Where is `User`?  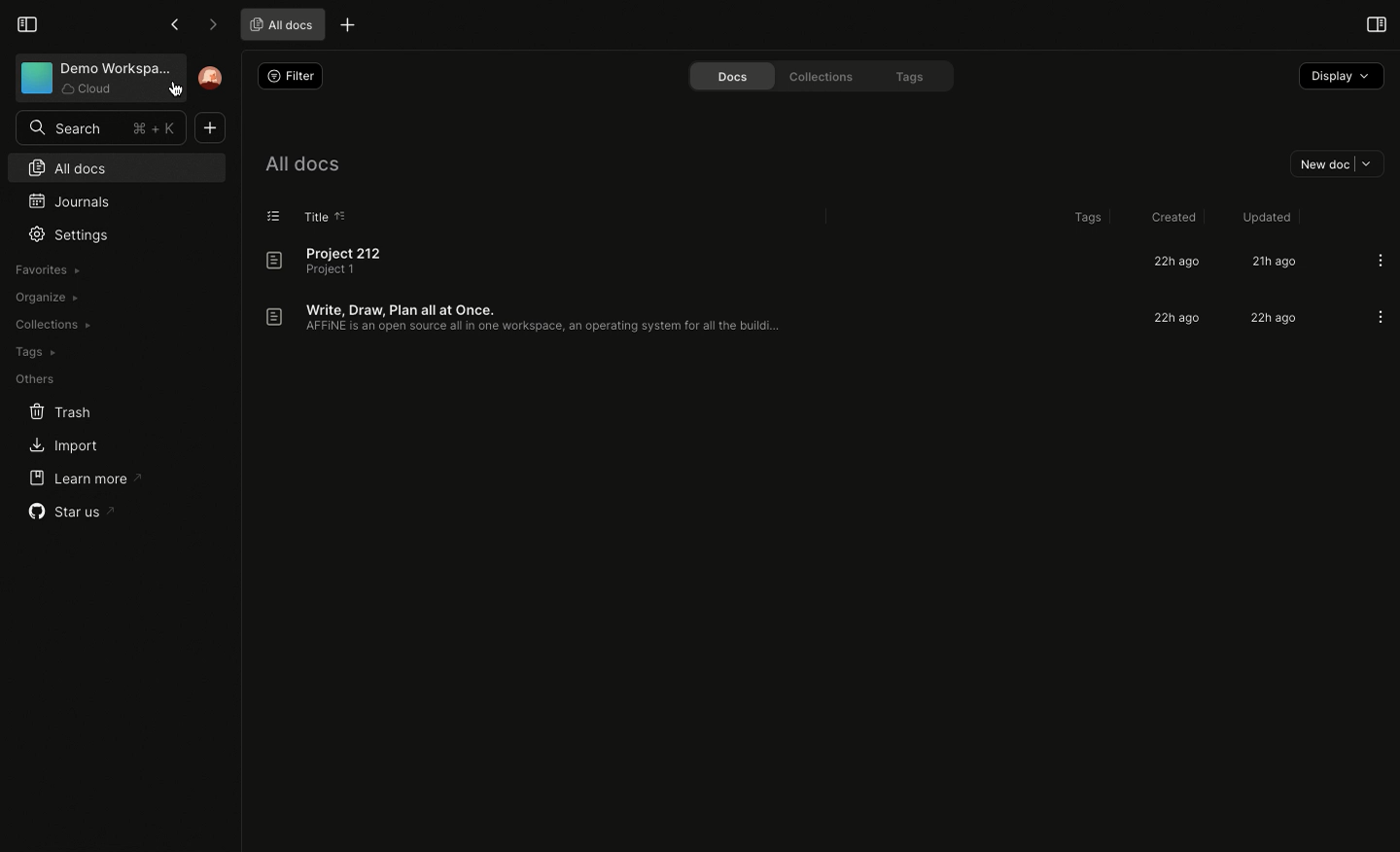
User is located at coordinates (211, 78).